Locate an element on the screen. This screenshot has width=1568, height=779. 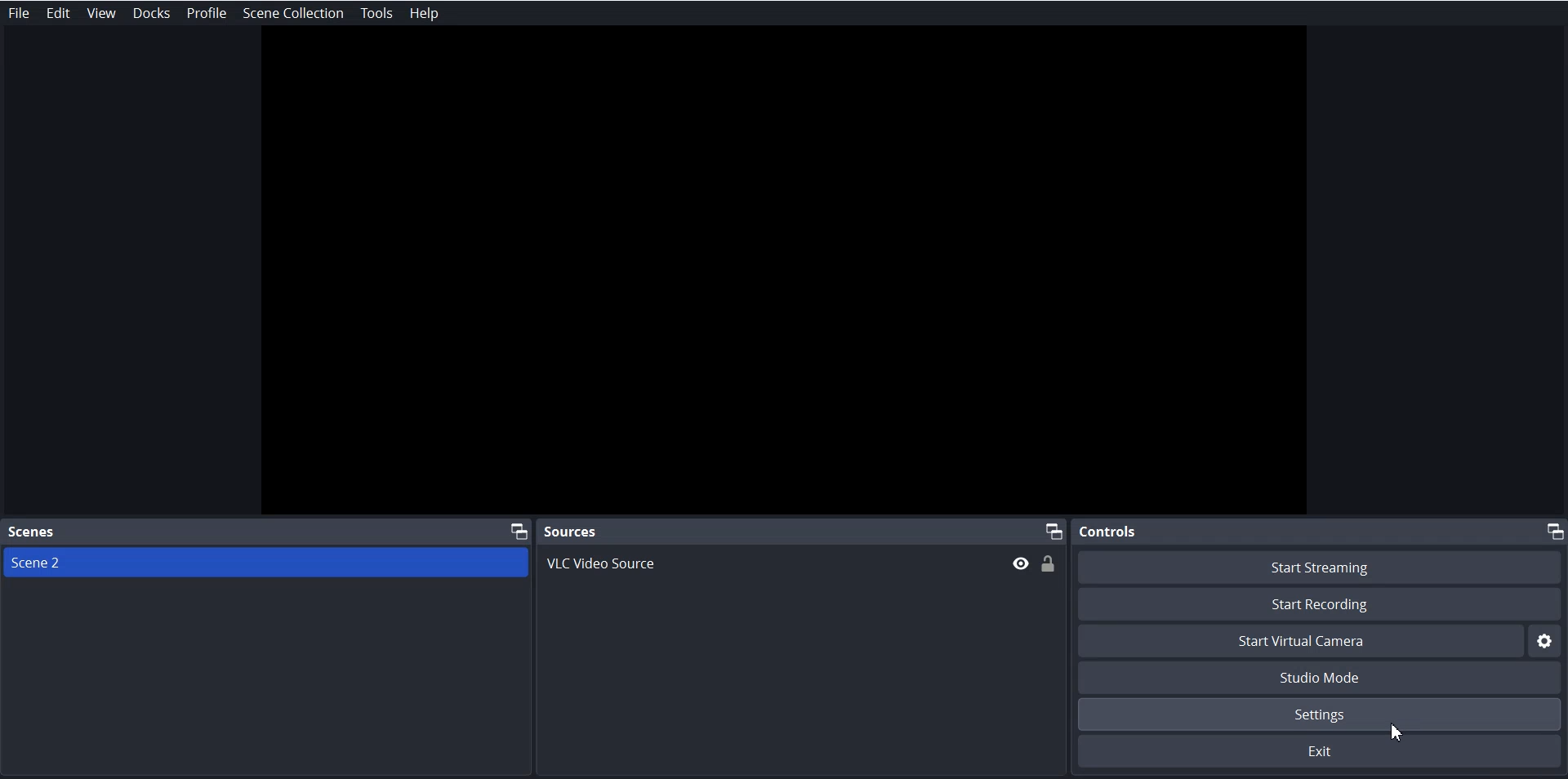
Sources is located at coordinates (570, 531).